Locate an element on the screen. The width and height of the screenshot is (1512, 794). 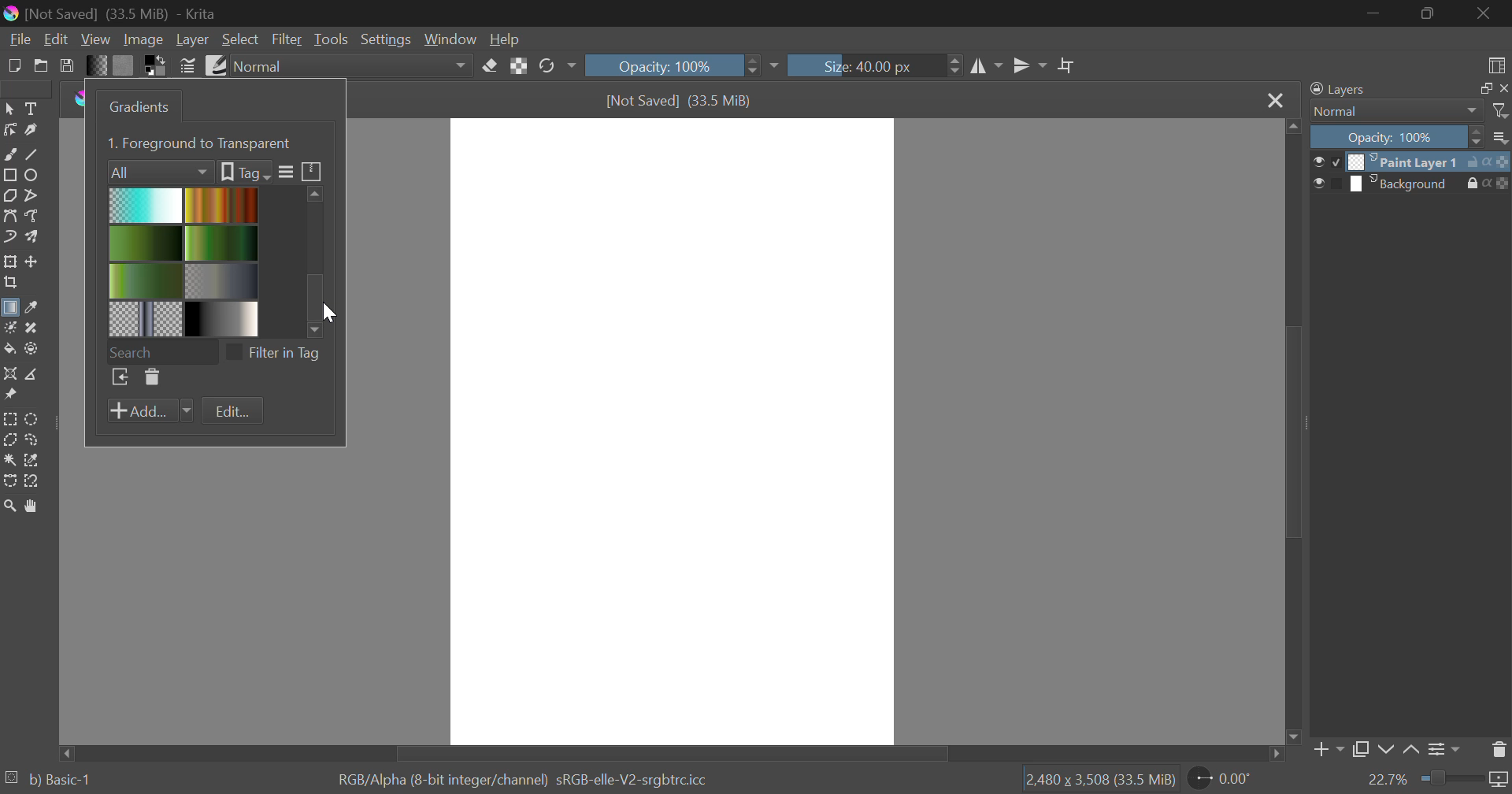
Document Workspace is located at coordinates (672, 430).